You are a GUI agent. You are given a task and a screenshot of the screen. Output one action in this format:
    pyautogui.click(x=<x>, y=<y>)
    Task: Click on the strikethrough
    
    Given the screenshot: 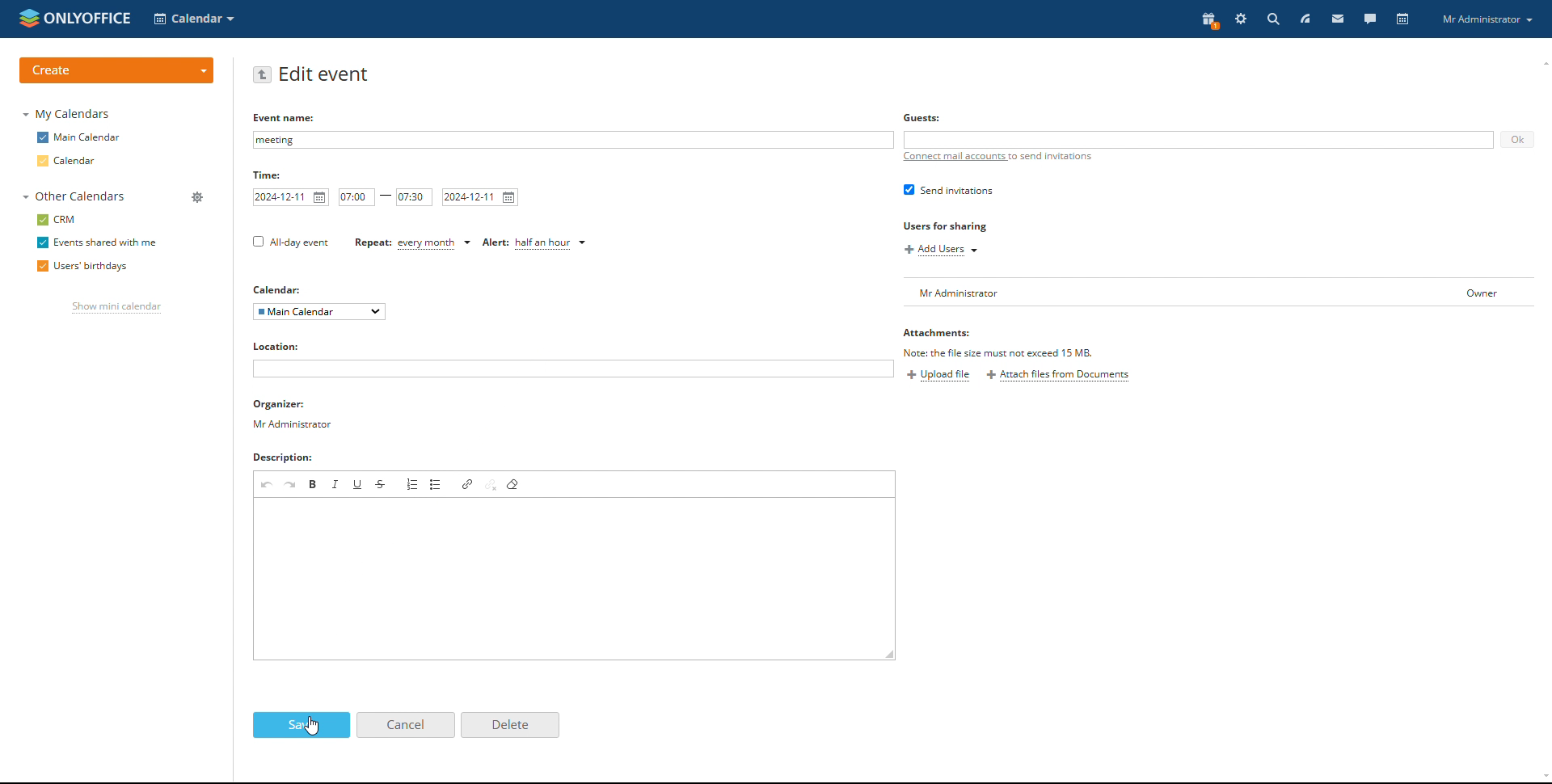 What is the action you would take?
    pyautogui.click(x=382, y=483)
    